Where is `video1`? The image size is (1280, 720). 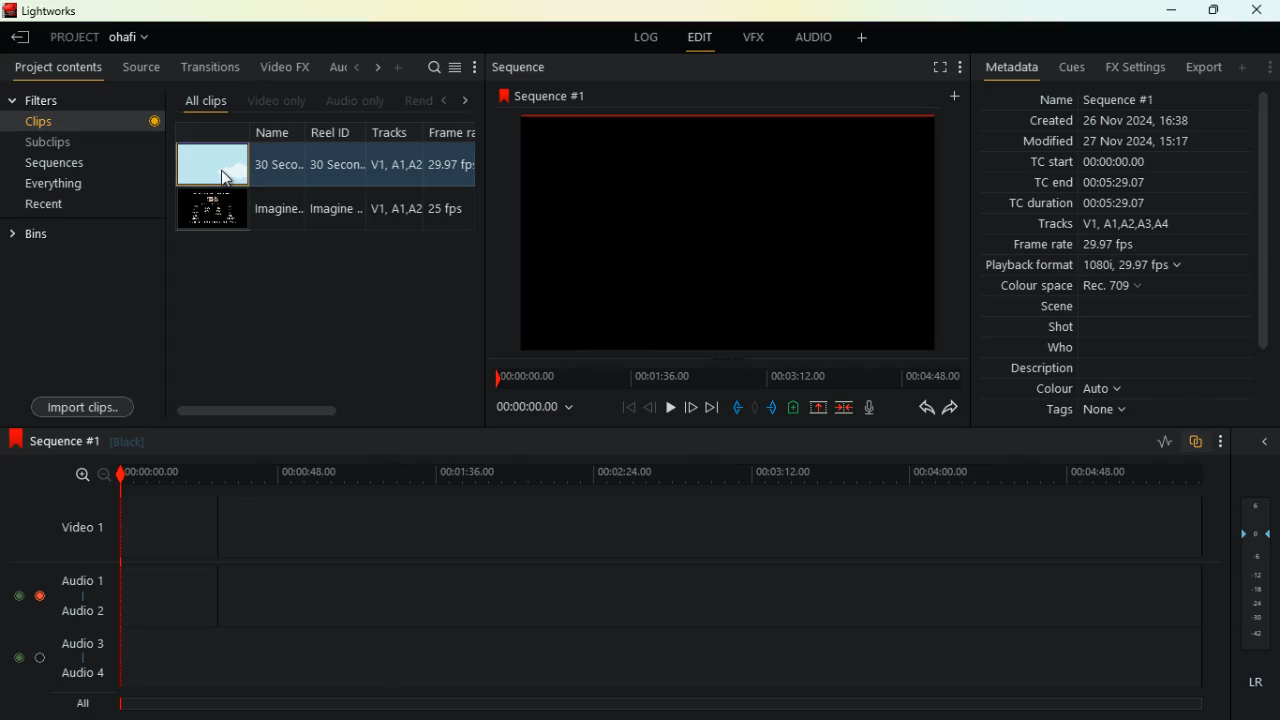 video1 is located at coordinates (78, 526).